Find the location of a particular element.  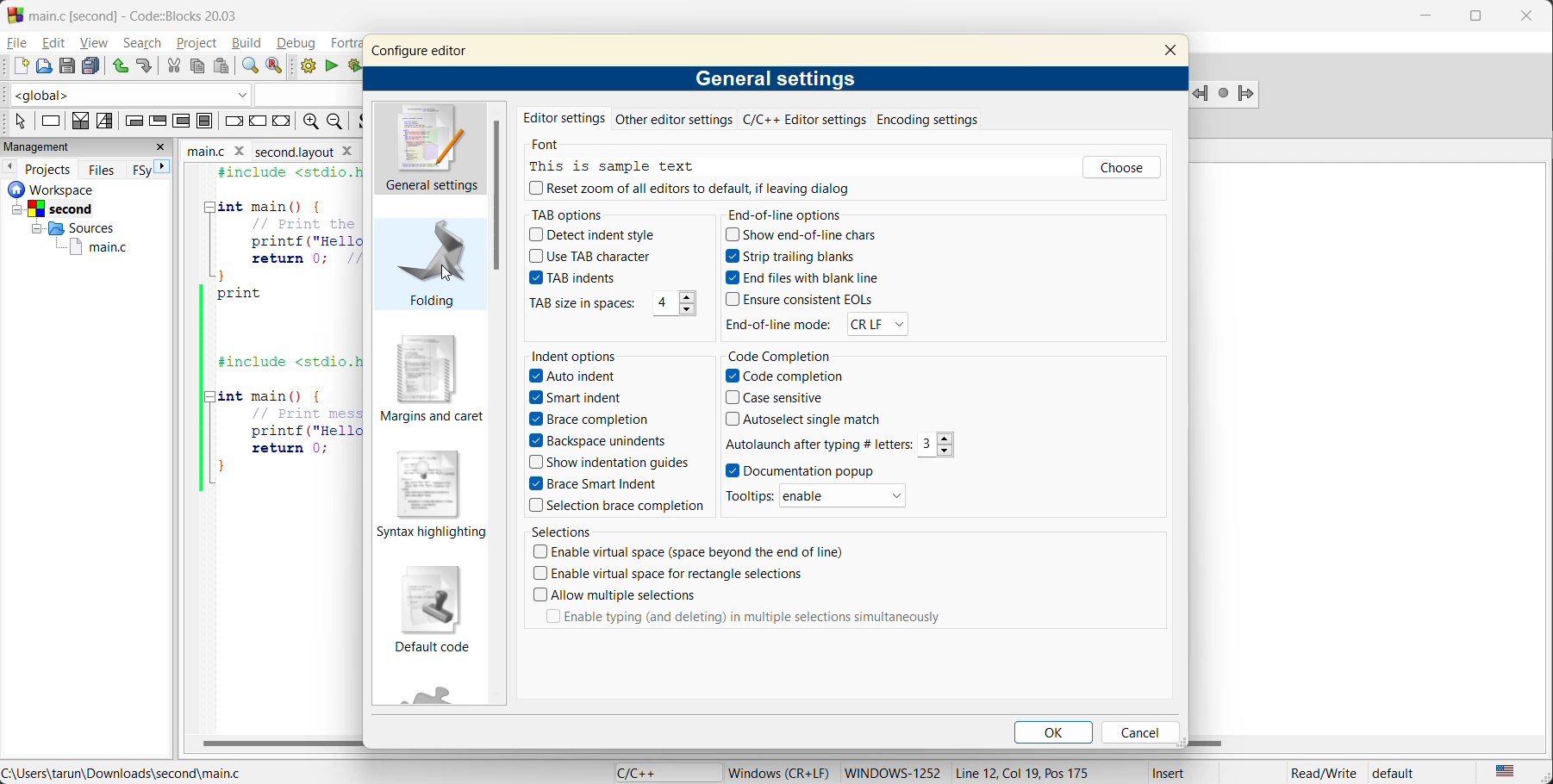

Brace completion is located at coordinates (592, 419).